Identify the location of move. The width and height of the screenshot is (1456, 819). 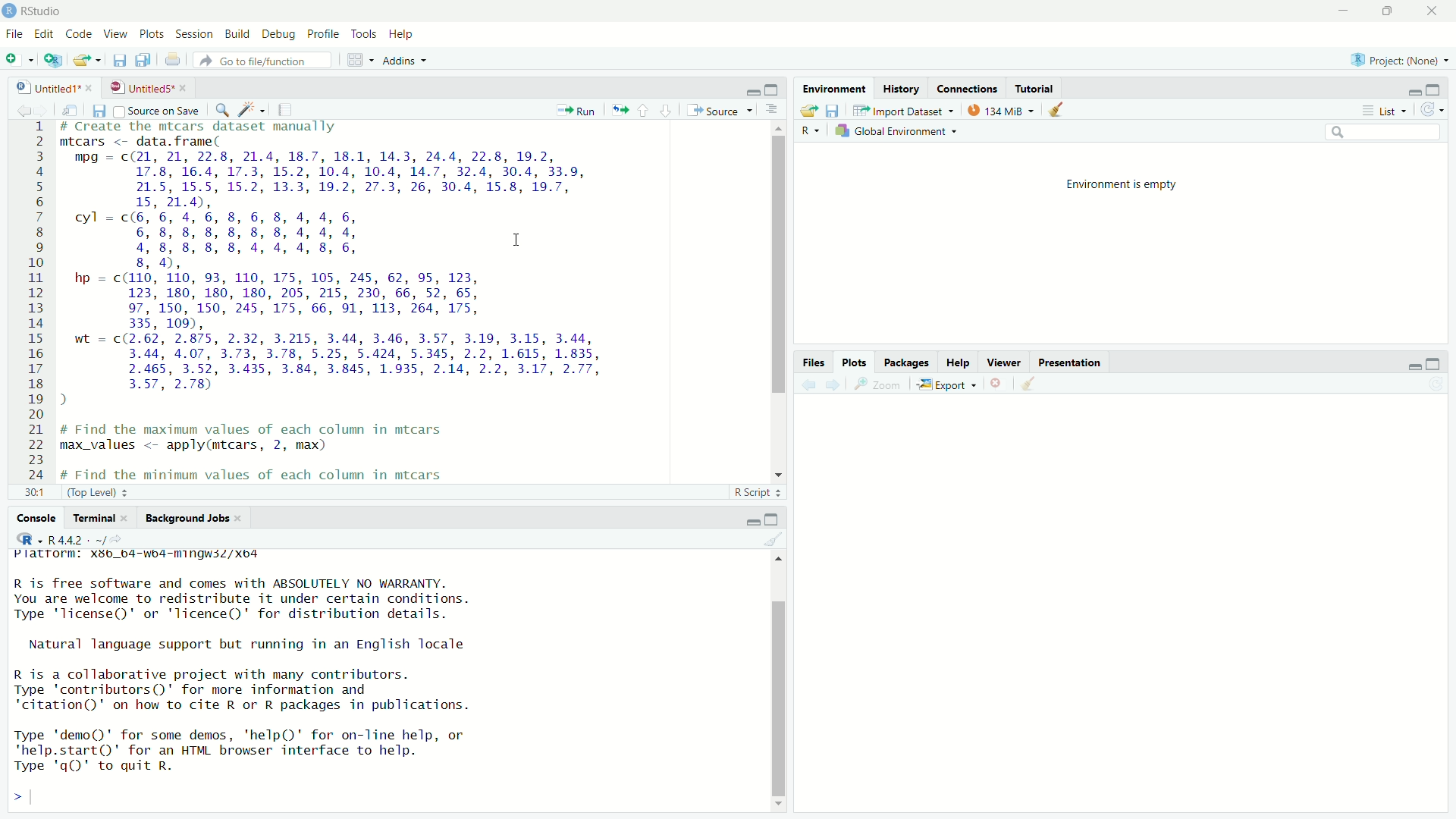
(76, 111).